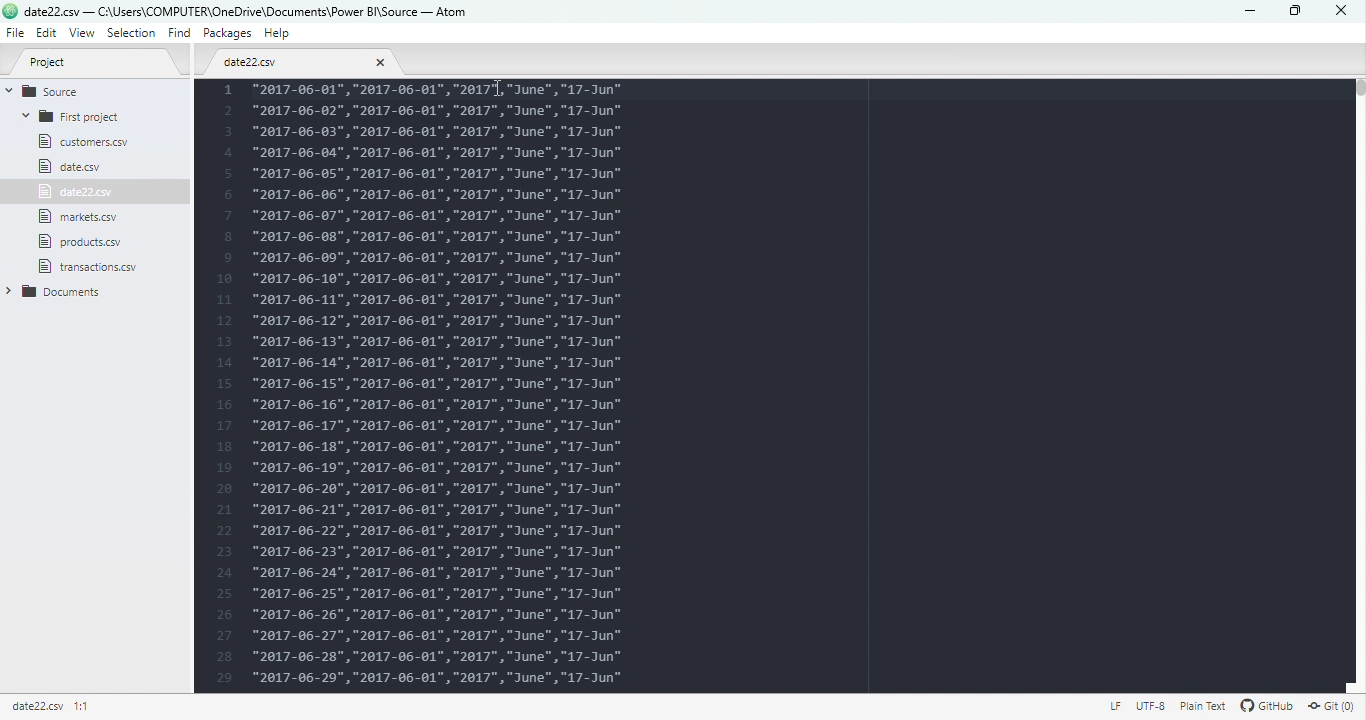  Describe the element at coordinates (47, 34) in the screenshot. I see `Edit` at that location.